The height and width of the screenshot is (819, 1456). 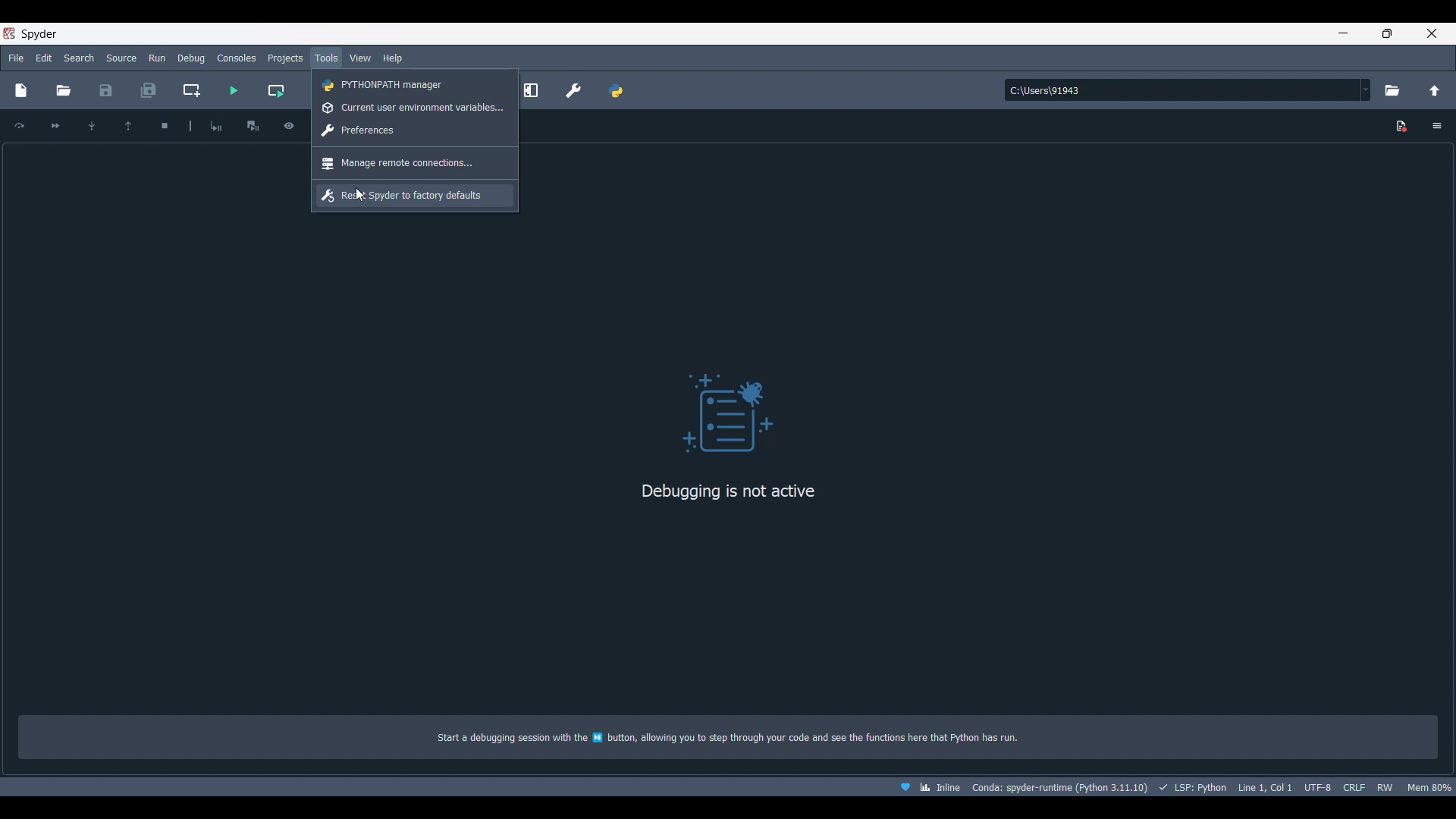 What do you see at coordinates (285, 58) in the screenshot?
I see `Projects menu` at bounding box center [285, 58].